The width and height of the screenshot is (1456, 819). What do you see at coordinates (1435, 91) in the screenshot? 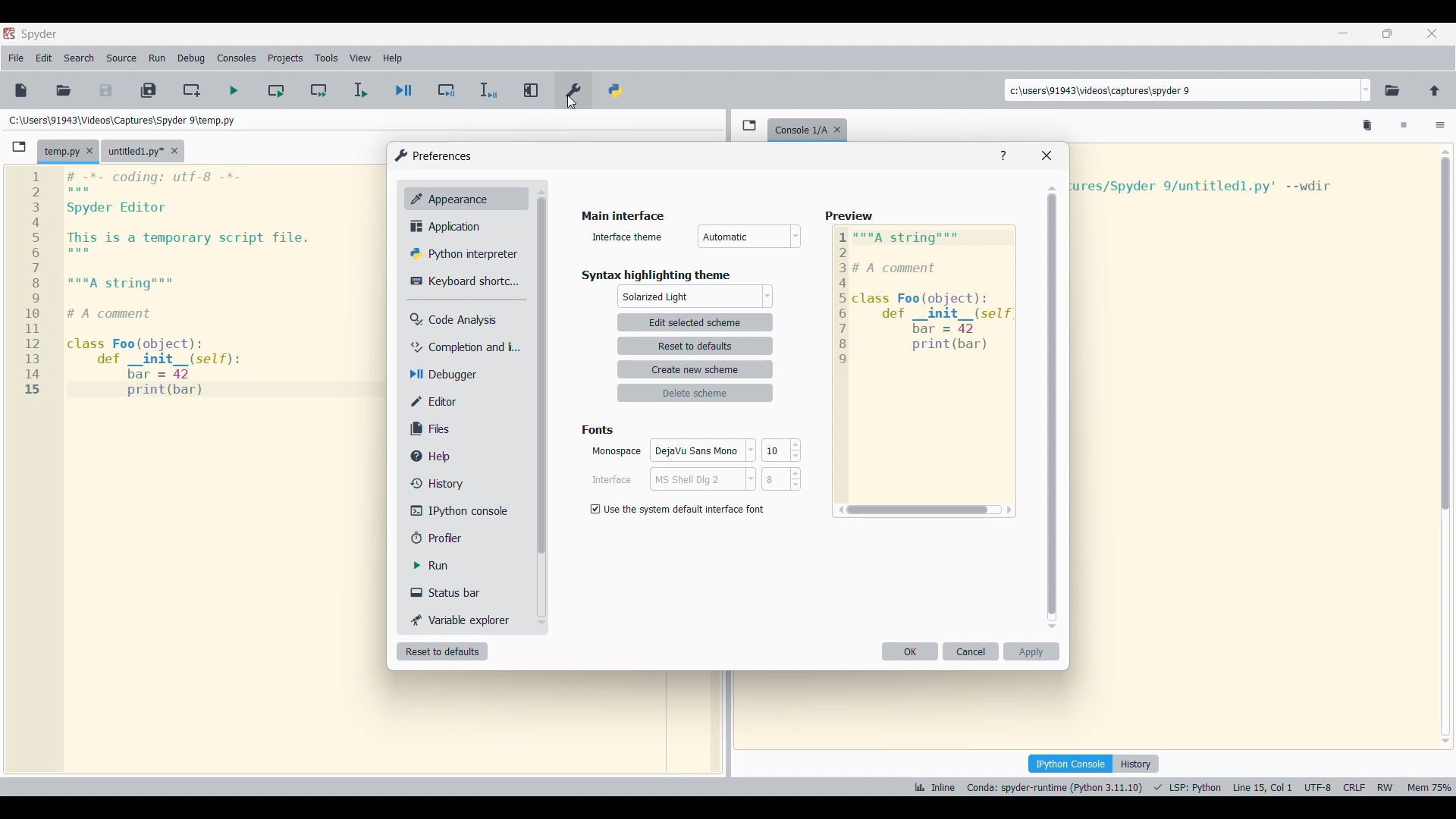
I see `Change to parent directory` at bounding box center [1435, 91].